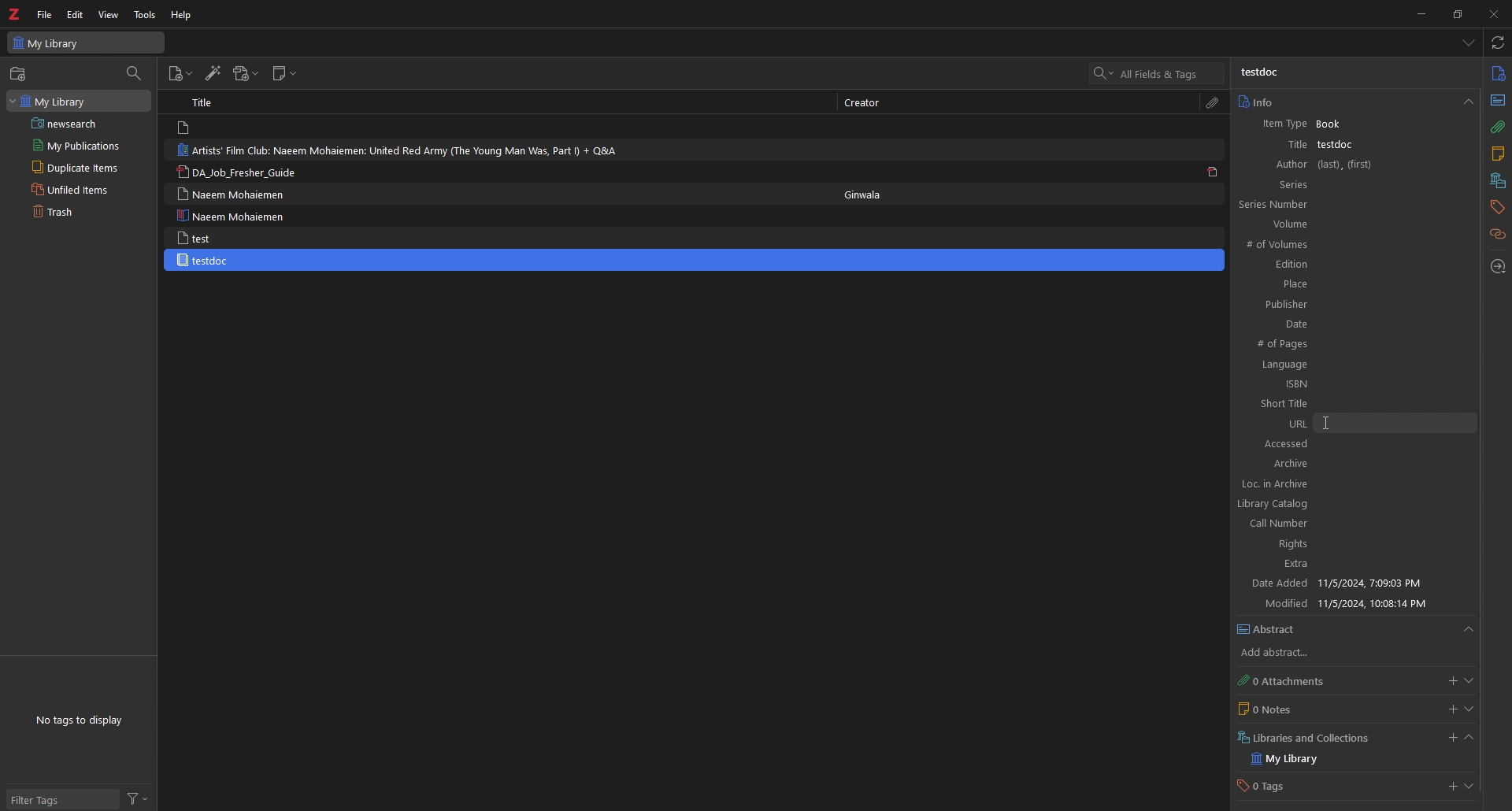 The image size is (1512, 811). Describe the element at coordinates (72, 212) in the screenshot. I see `trash` at that location.